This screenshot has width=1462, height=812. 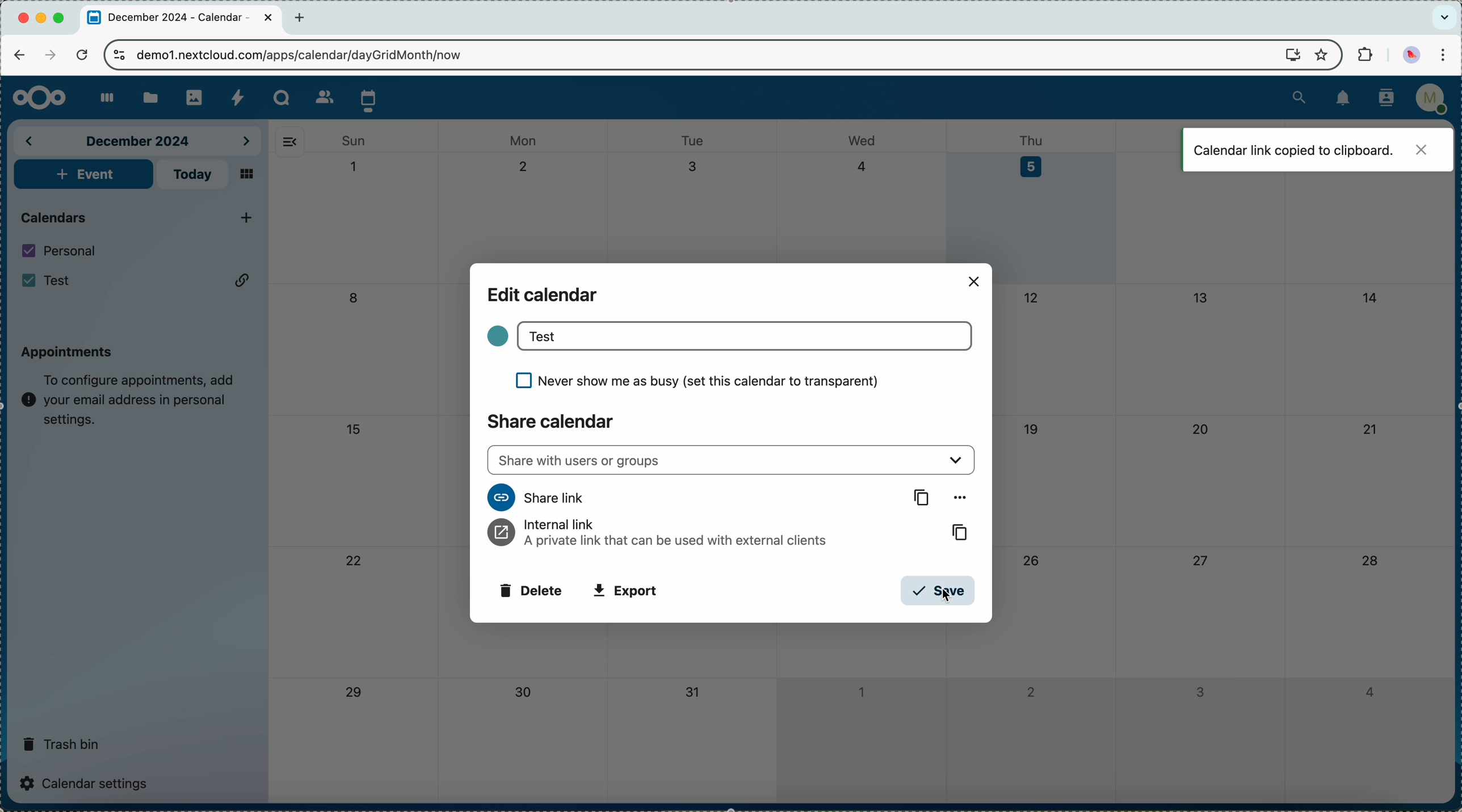 I want to click on delete, so click(x=529, y=591).